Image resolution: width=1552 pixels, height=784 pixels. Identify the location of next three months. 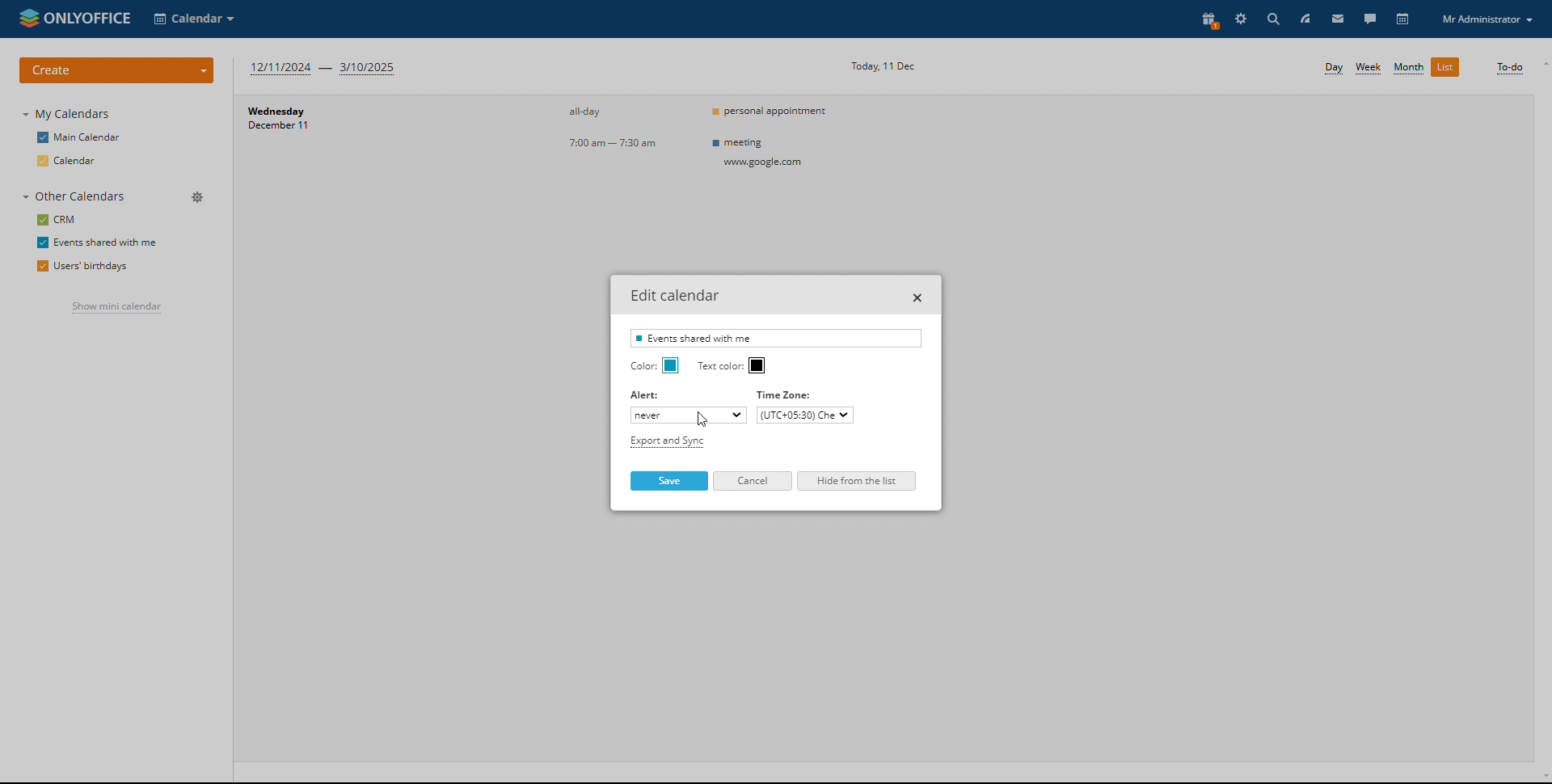
(325, 70).